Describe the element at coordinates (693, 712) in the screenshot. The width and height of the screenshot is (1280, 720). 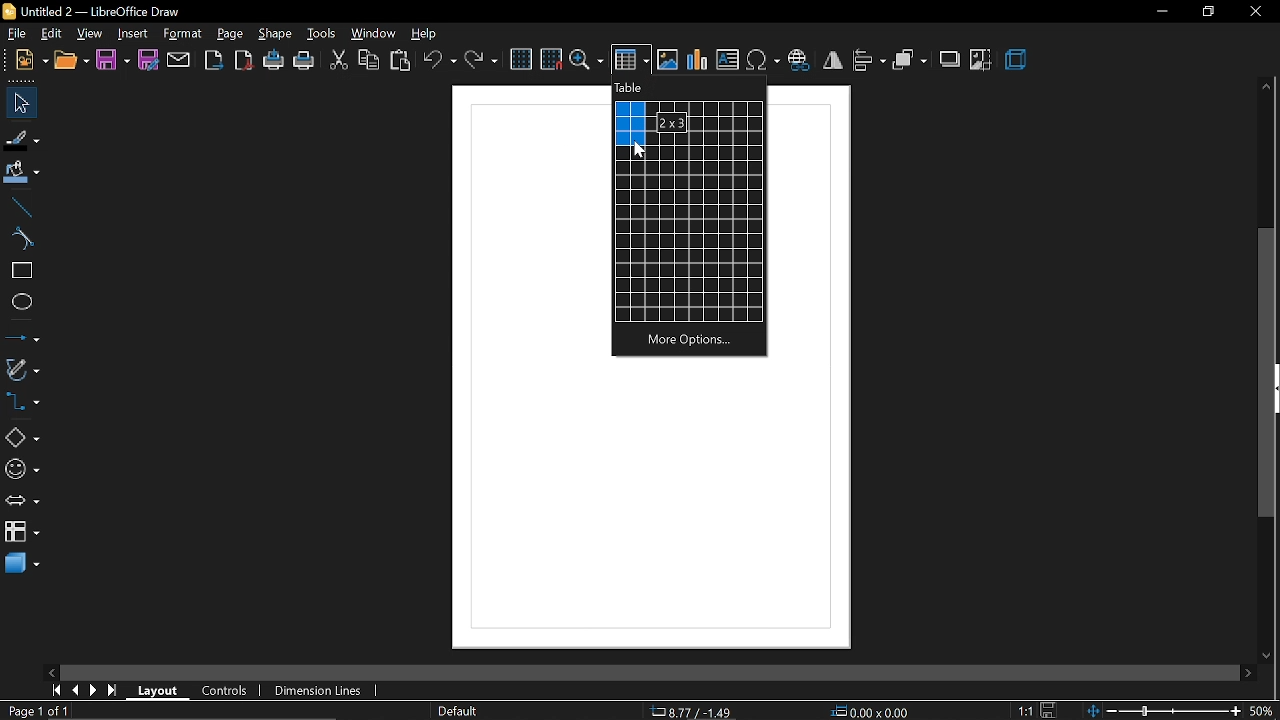
I see `8.77/-1.49` at that location.